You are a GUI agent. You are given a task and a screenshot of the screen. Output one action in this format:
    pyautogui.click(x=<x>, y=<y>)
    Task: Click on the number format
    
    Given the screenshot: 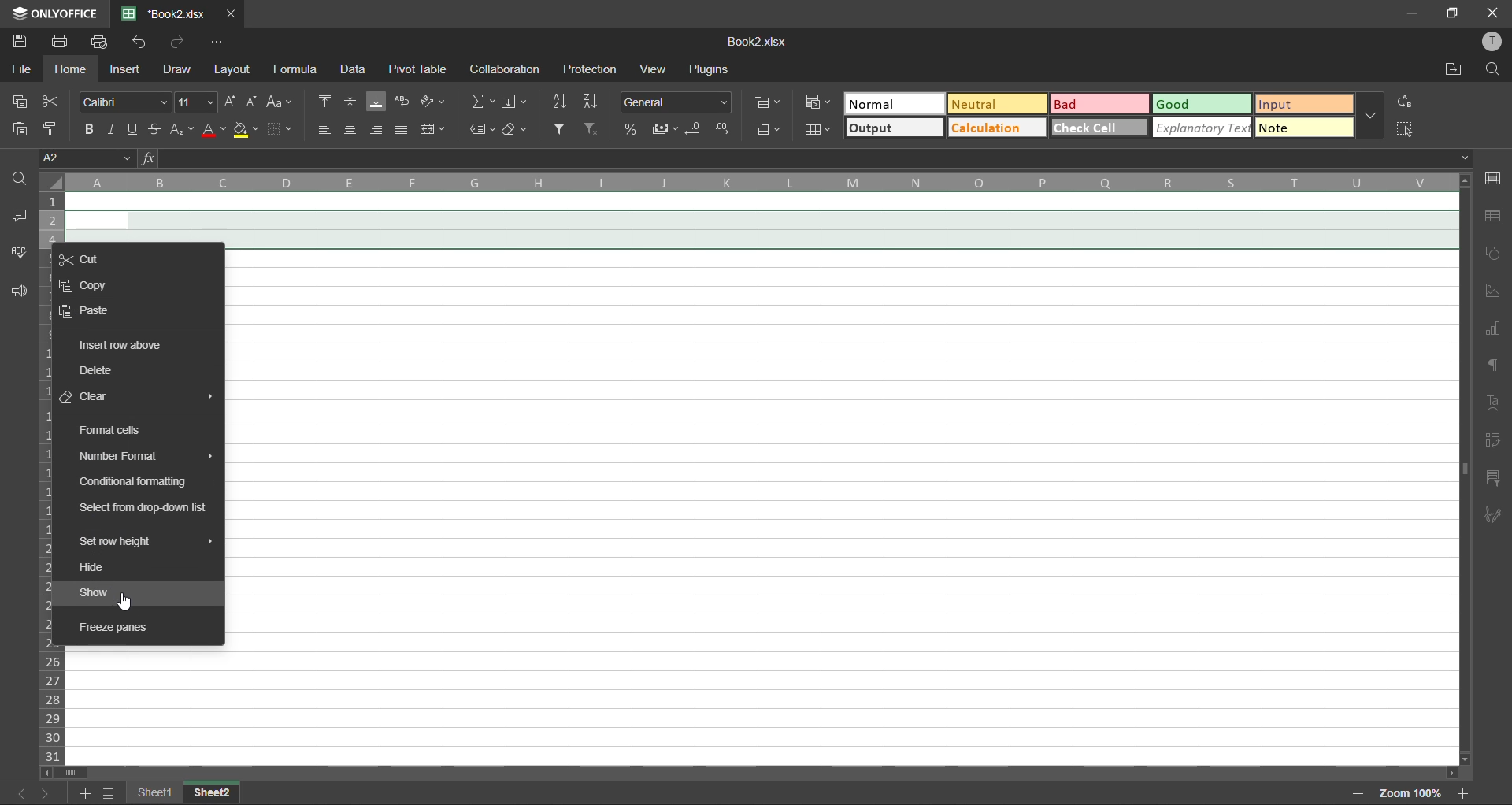 What is the action you would take?
    pyautogui.click(x=680, y=102)
    